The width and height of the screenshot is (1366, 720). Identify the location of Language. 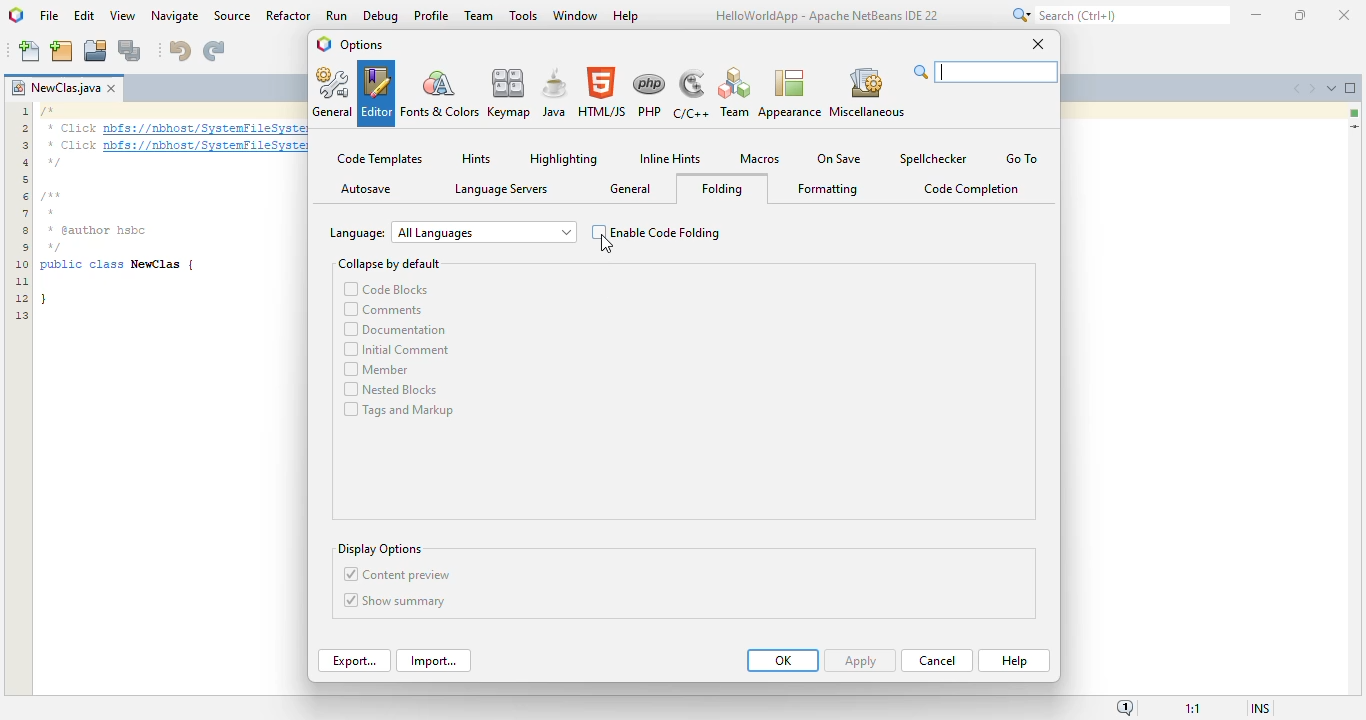
(356, 232).